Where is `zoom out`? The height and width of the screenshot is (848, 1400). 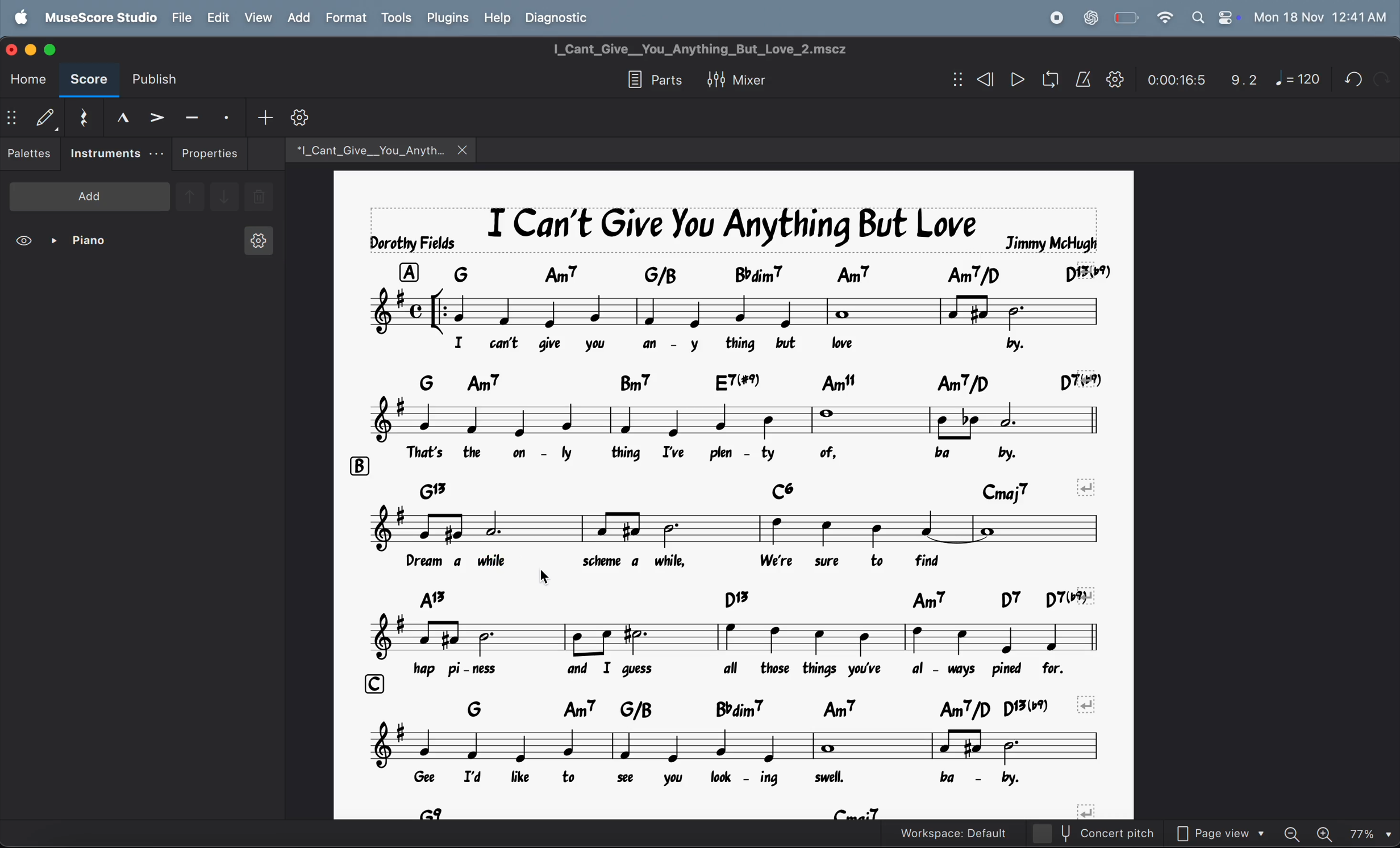 zoom out is located at coordinates (1293, 832).